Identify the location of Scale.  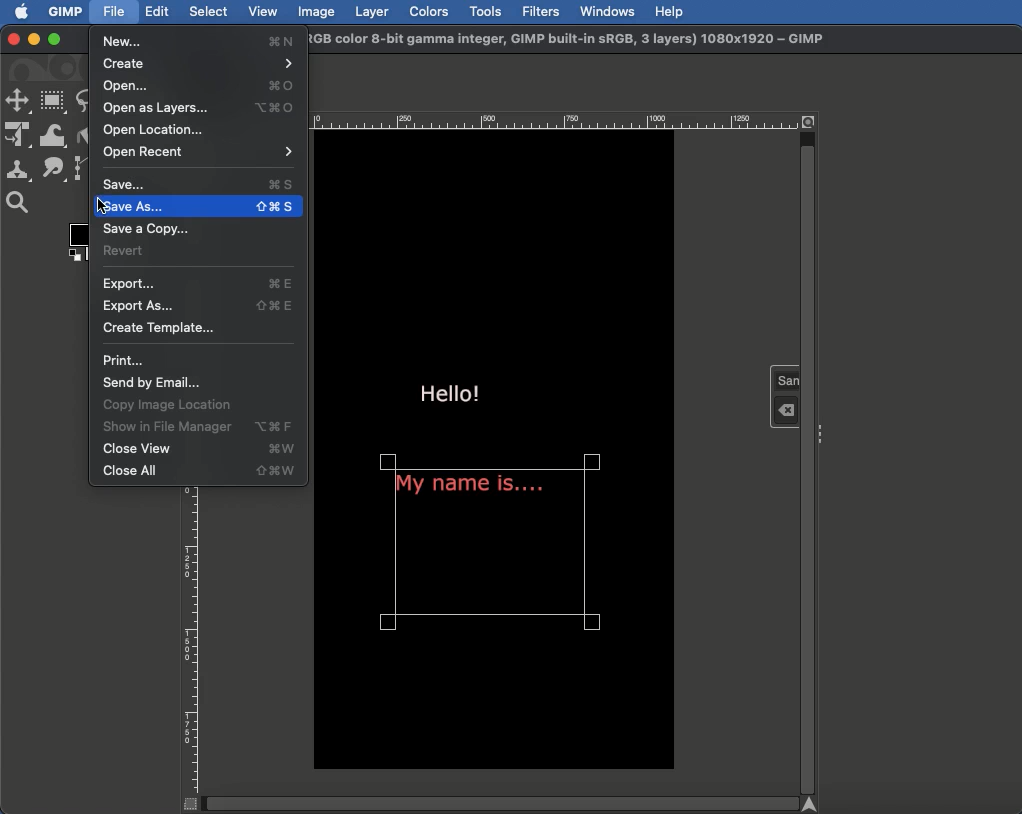
(189, 648).